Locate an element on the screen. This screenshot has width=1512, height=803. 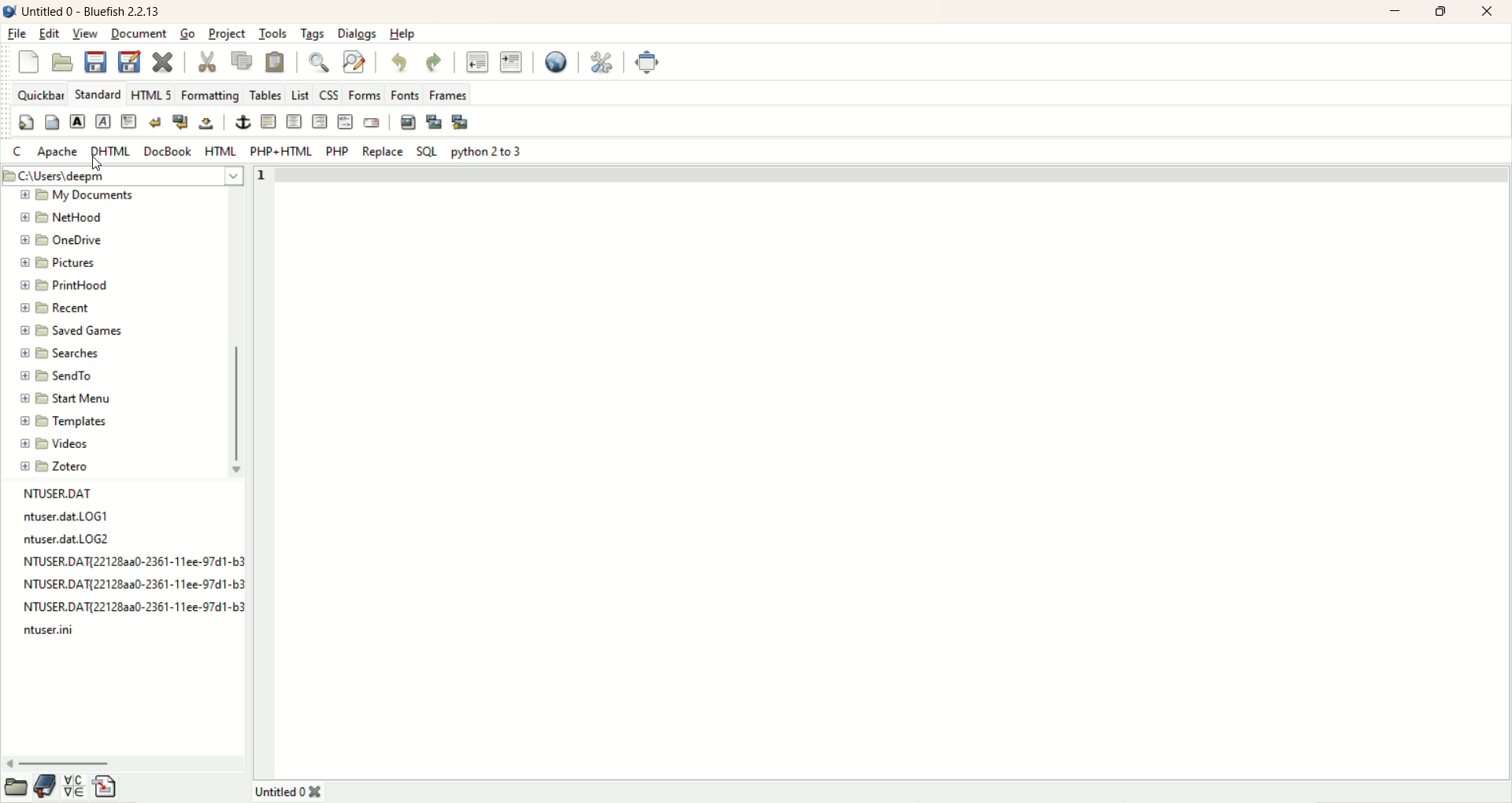
insert thumbnail is located at coordinates (434, 123).